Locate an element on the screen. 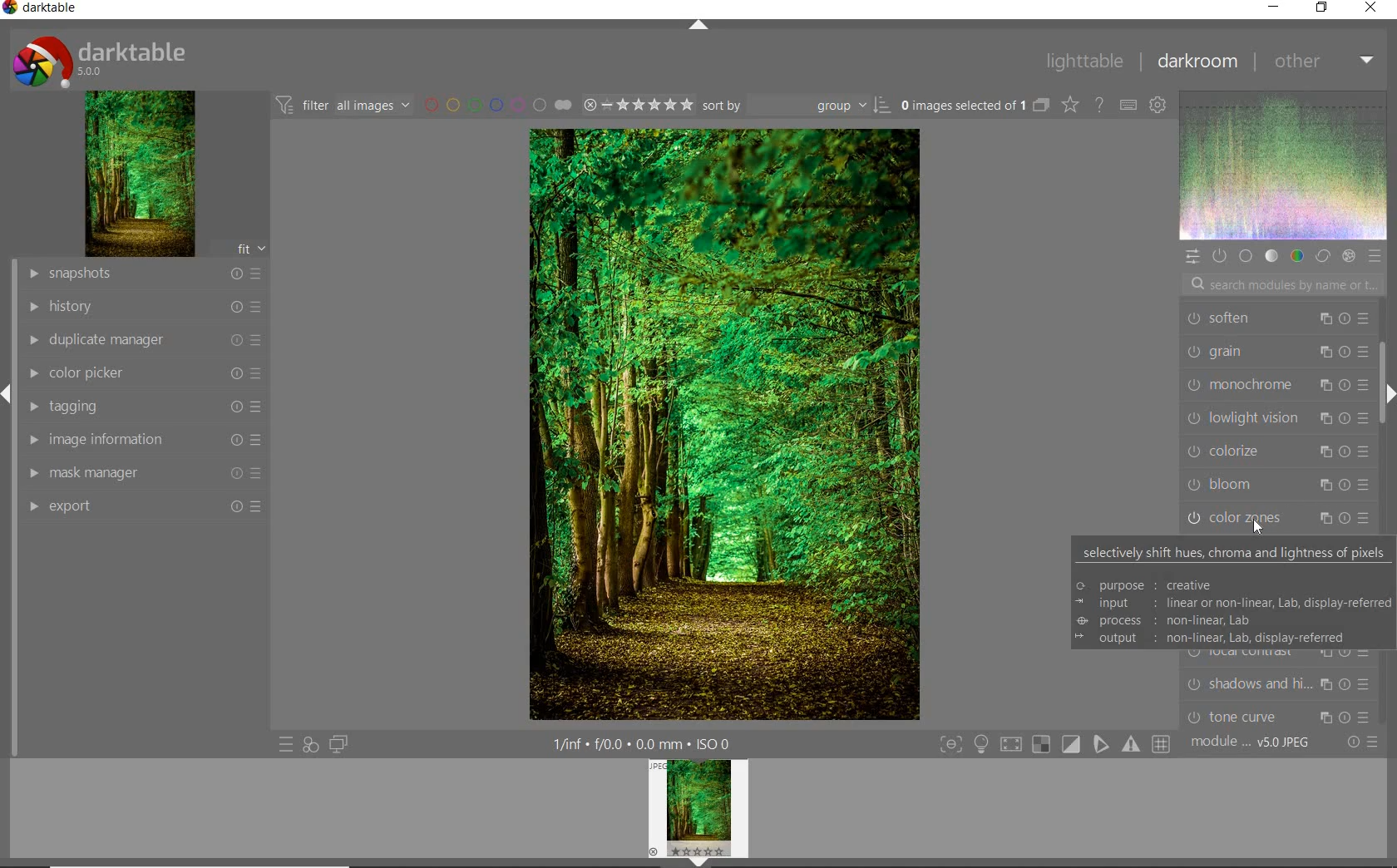 The height and width of the screenshot is (868, 1397). MASK MANAGER is located at coordinates (141, 475).